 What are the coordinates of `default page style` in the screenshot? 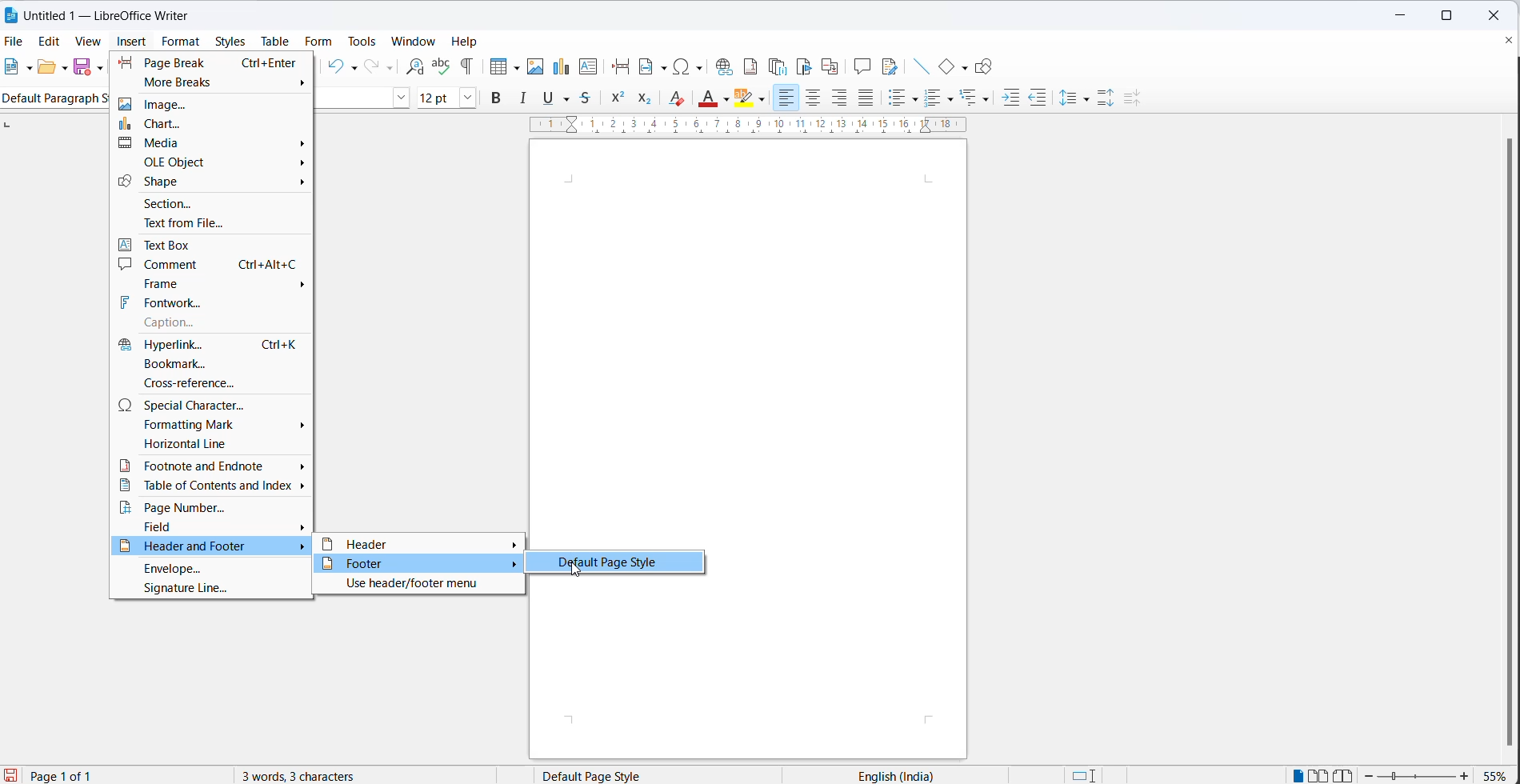 It's located at (620, 562).